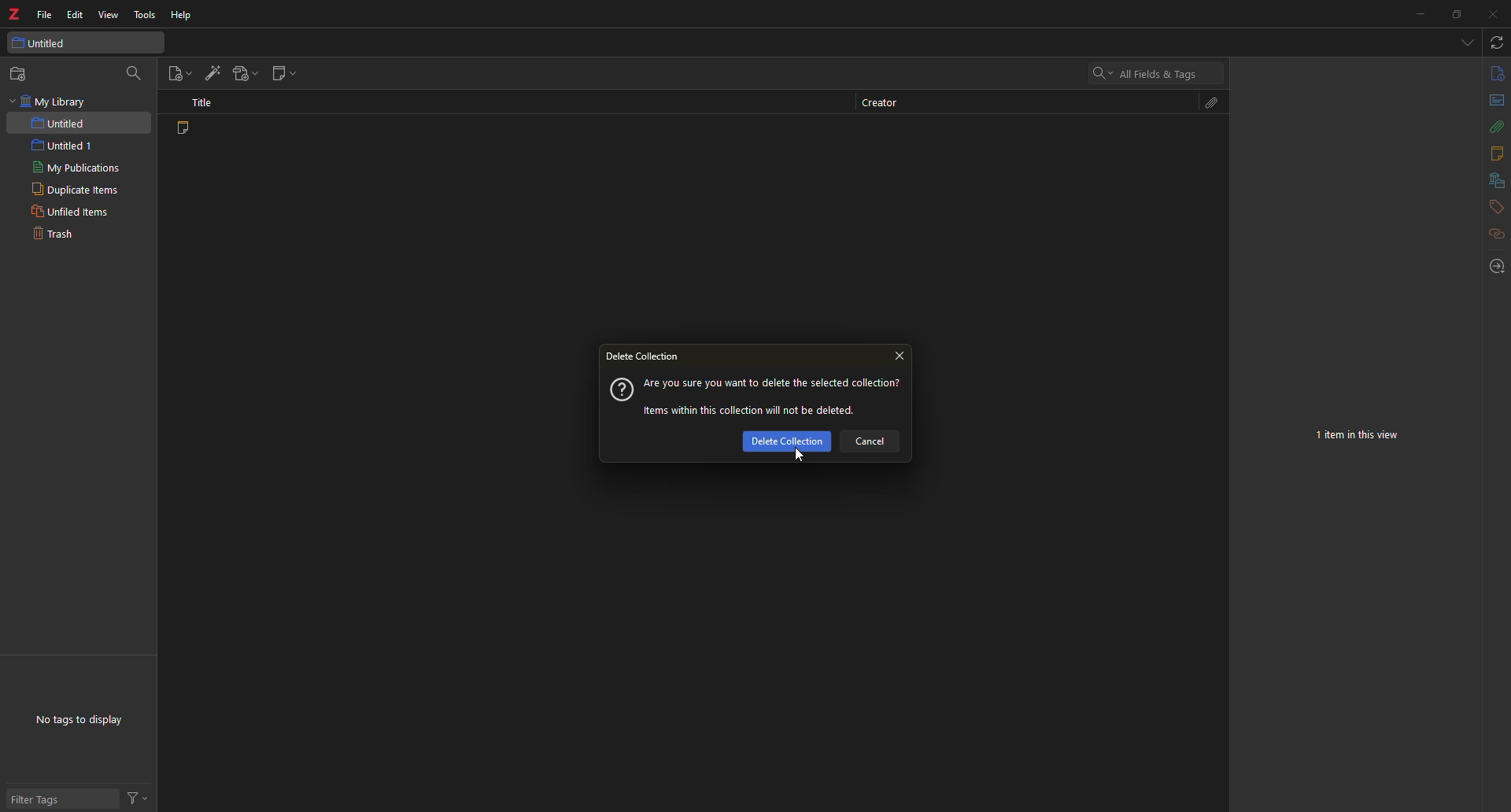 The image size is (1511, 812). Describe the element at coordinates (54, 235) in the screenshot. I see `trash` at that location.